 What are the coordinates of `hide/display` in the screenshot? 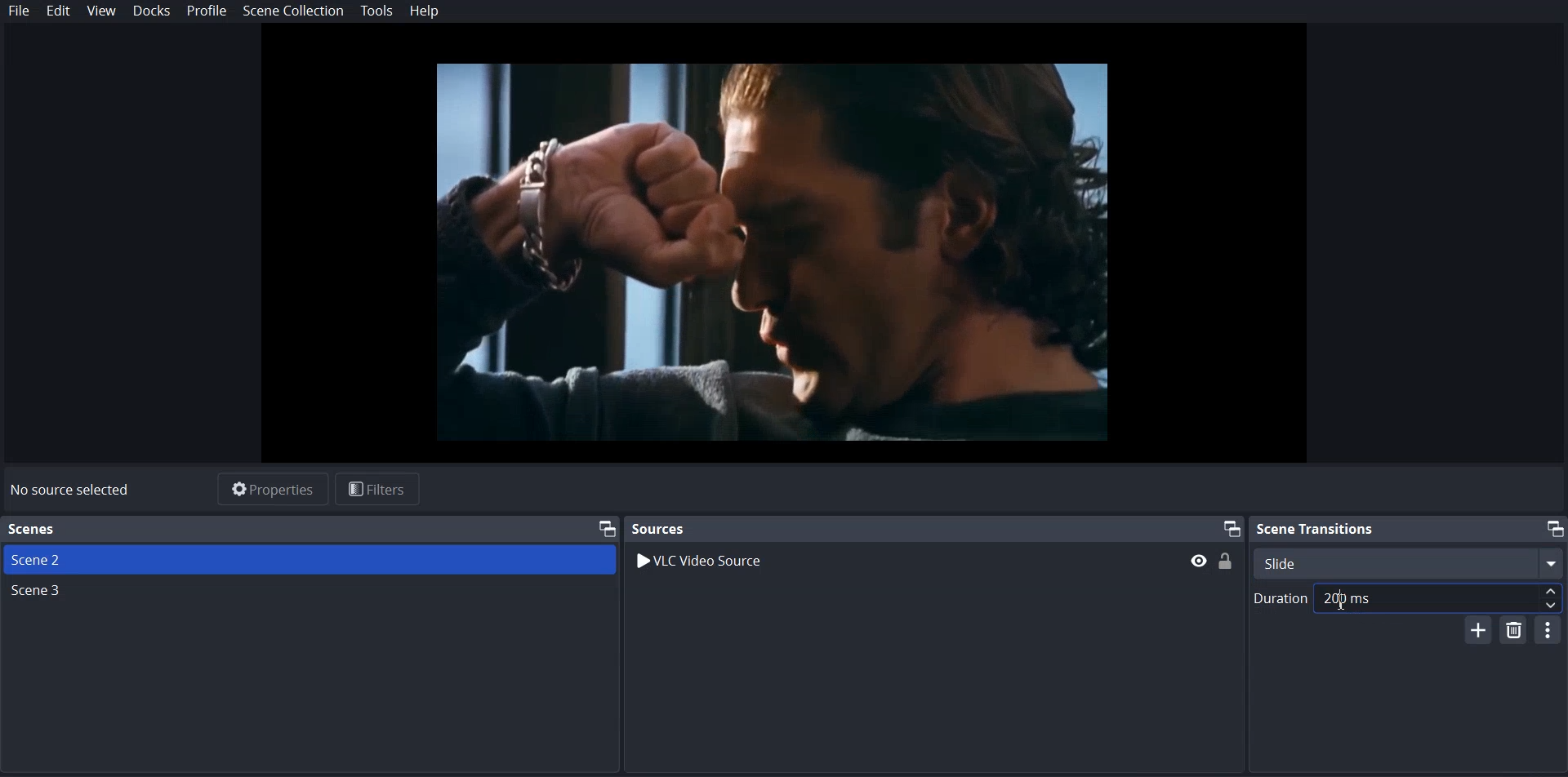 It's located at (1199, 561).